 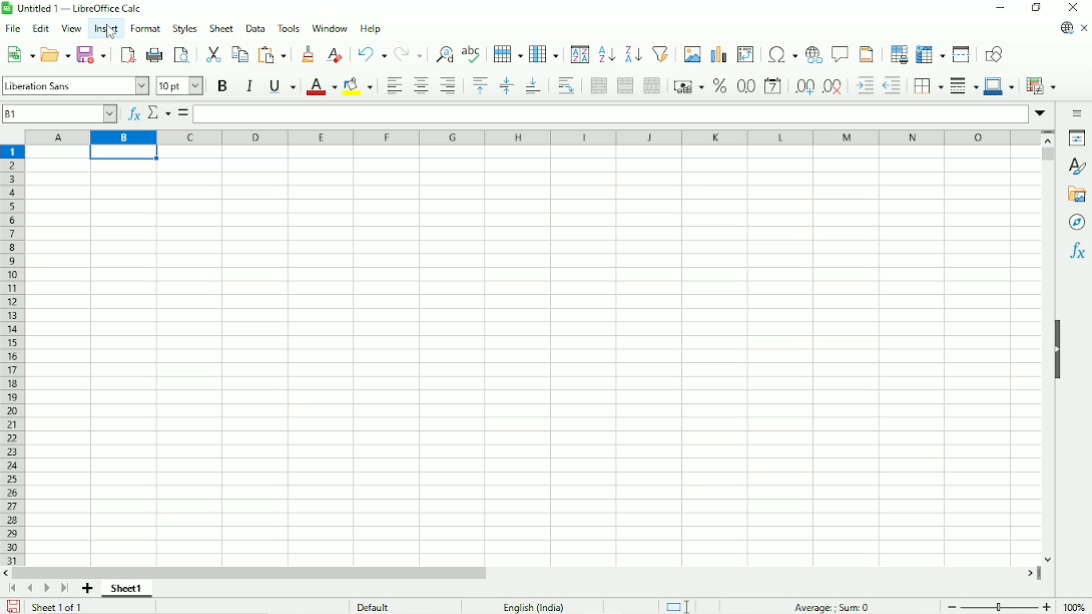 What do you see at coordinates (839, 53) in the screenshot?
I see `Insert comment` at bounding box center [839, 53].